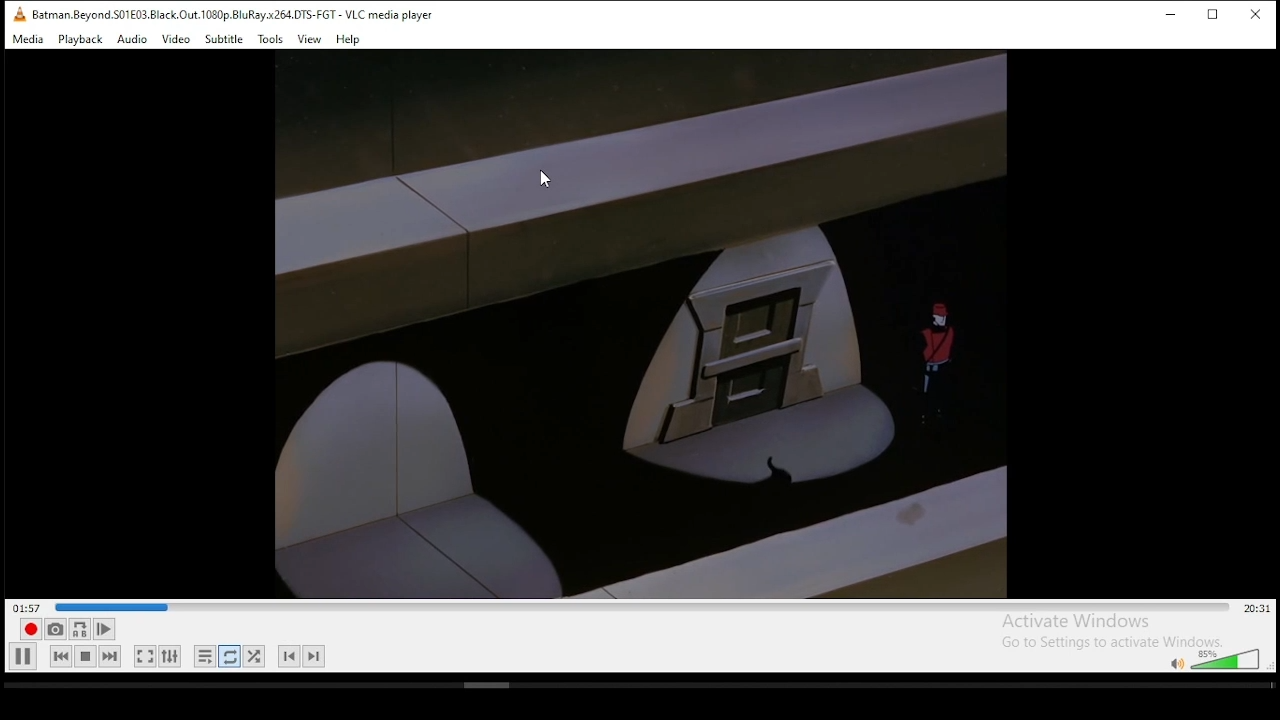 This screenshot has height=720, width=1280. What do you see at coordinates (55, 630) in the screenshot?
I see `take a snapshot` at bounding box center [55, 630].